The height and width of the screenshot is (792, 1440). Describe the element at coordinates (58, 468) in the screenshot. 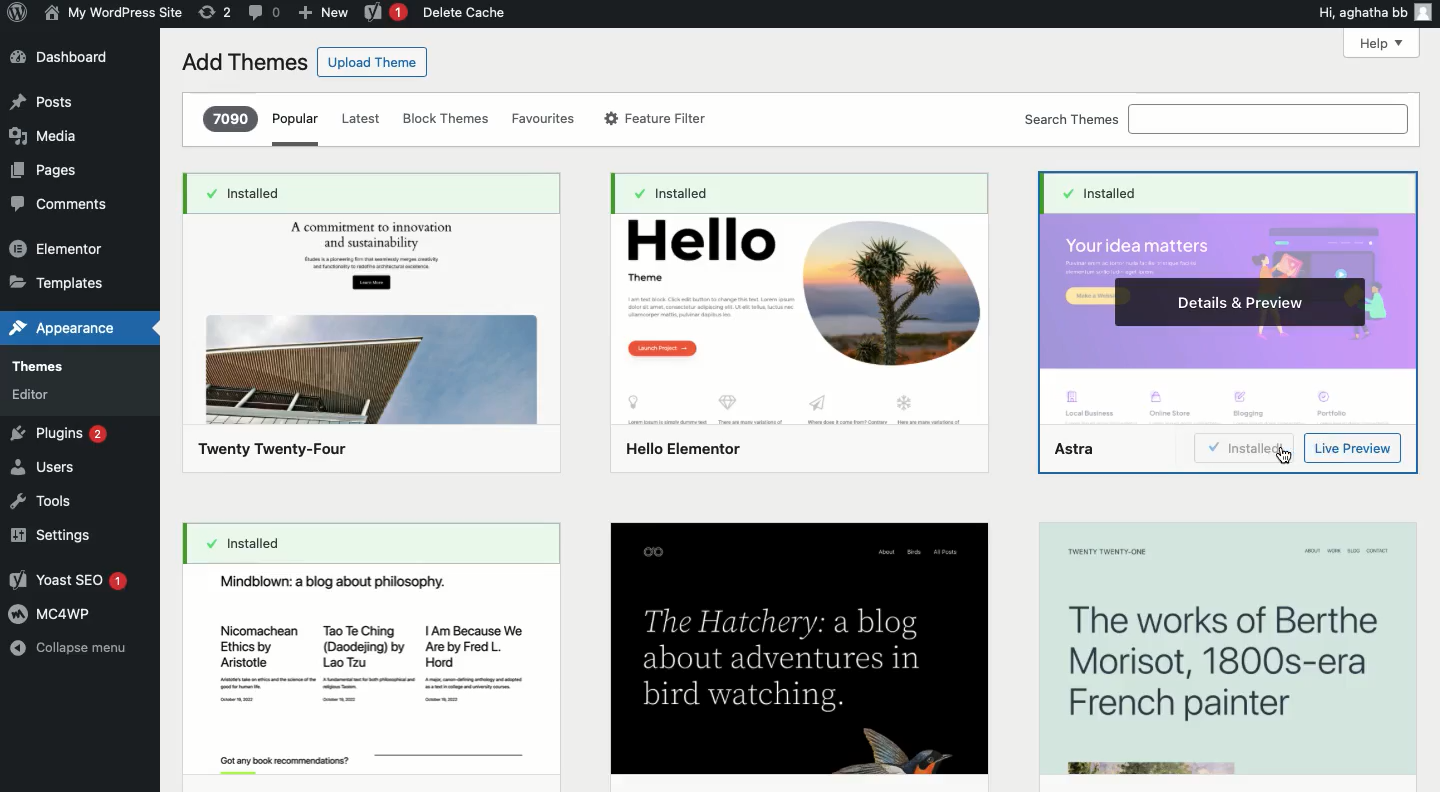

I see `Users` at that location.